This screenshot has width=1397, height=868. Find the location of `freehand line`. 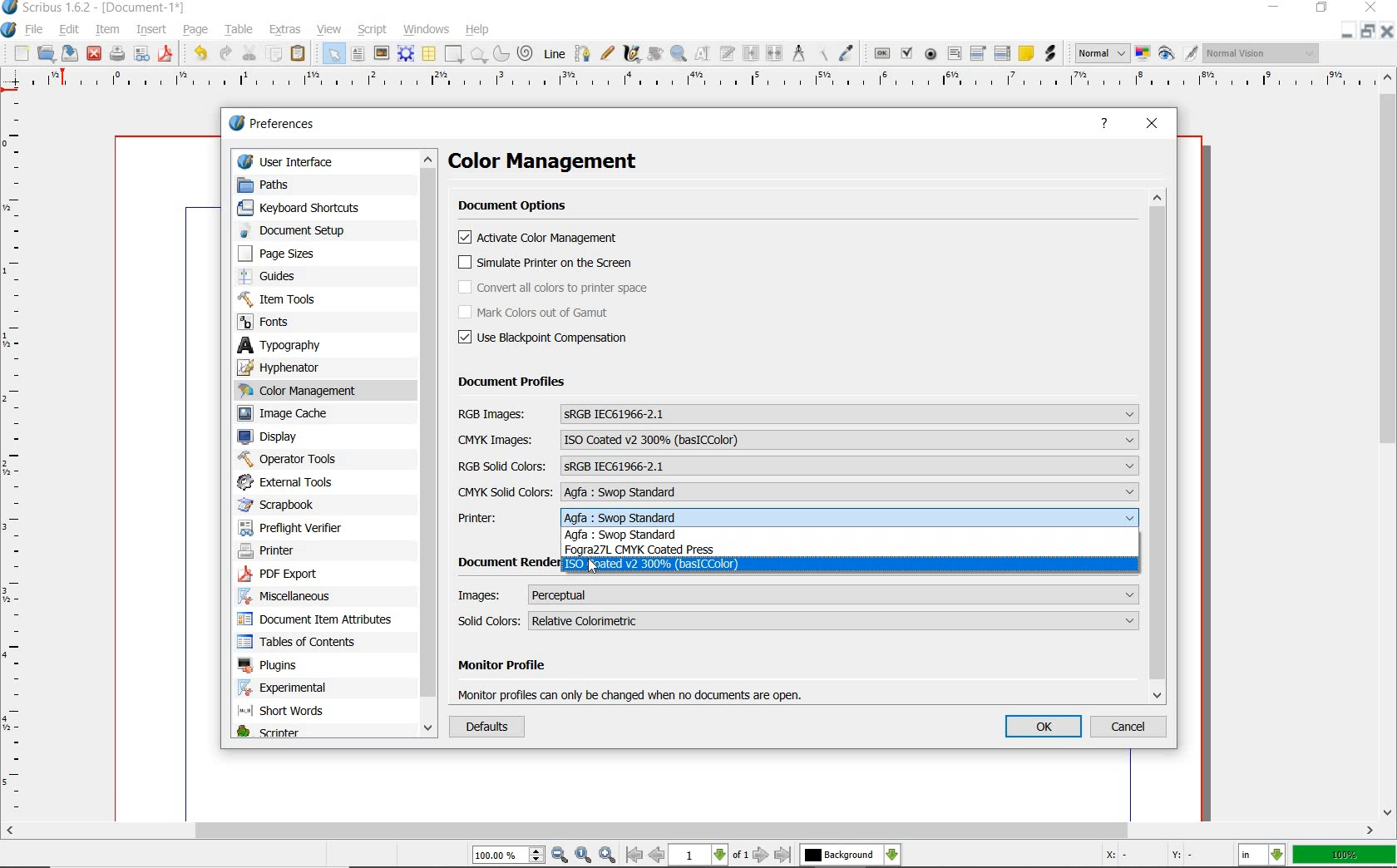

freehand line is located at coordinates (605, 52).